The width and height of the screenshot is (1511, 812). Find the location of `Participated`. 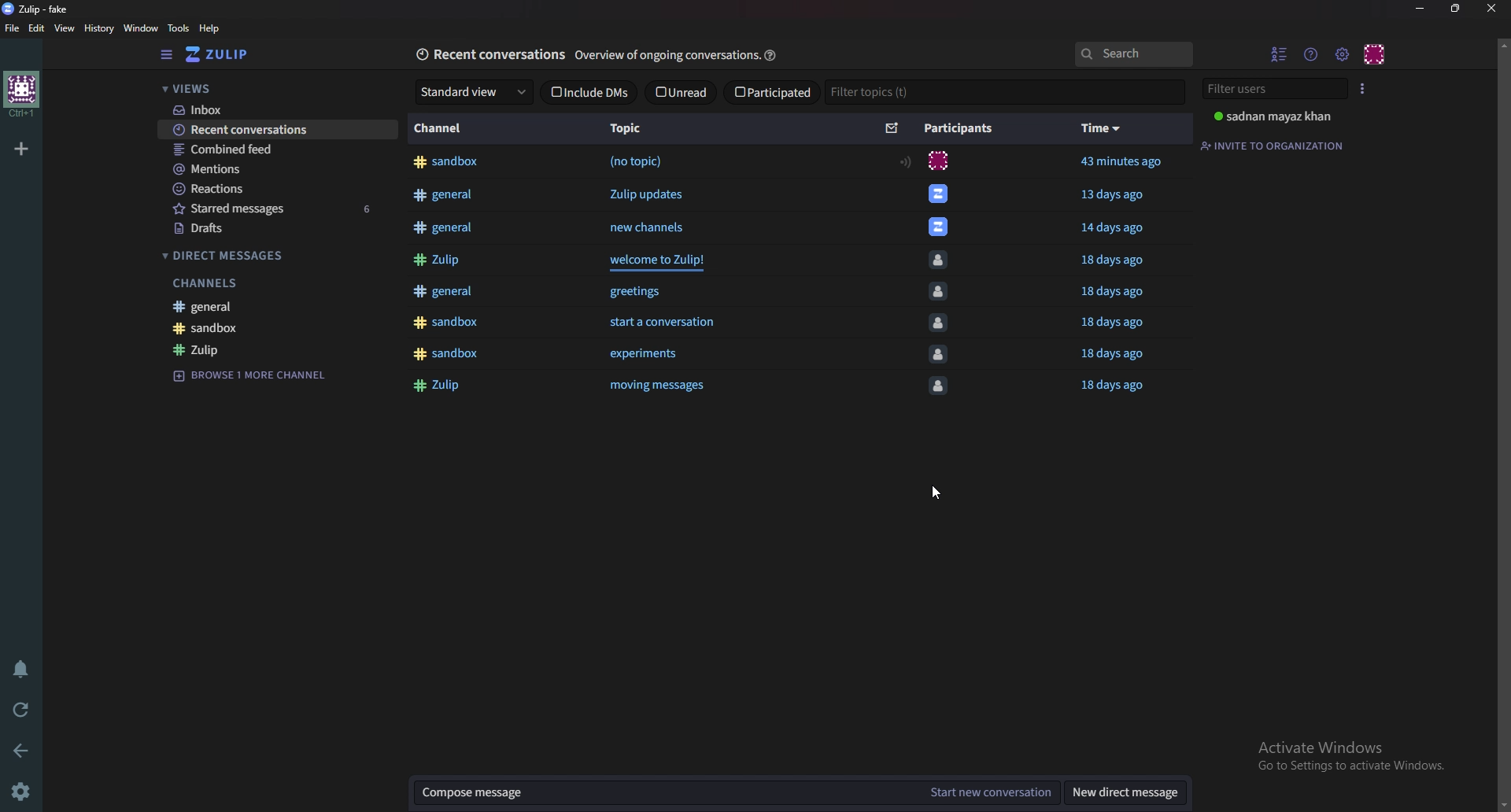

Participated is located at coordinates (770, 93).